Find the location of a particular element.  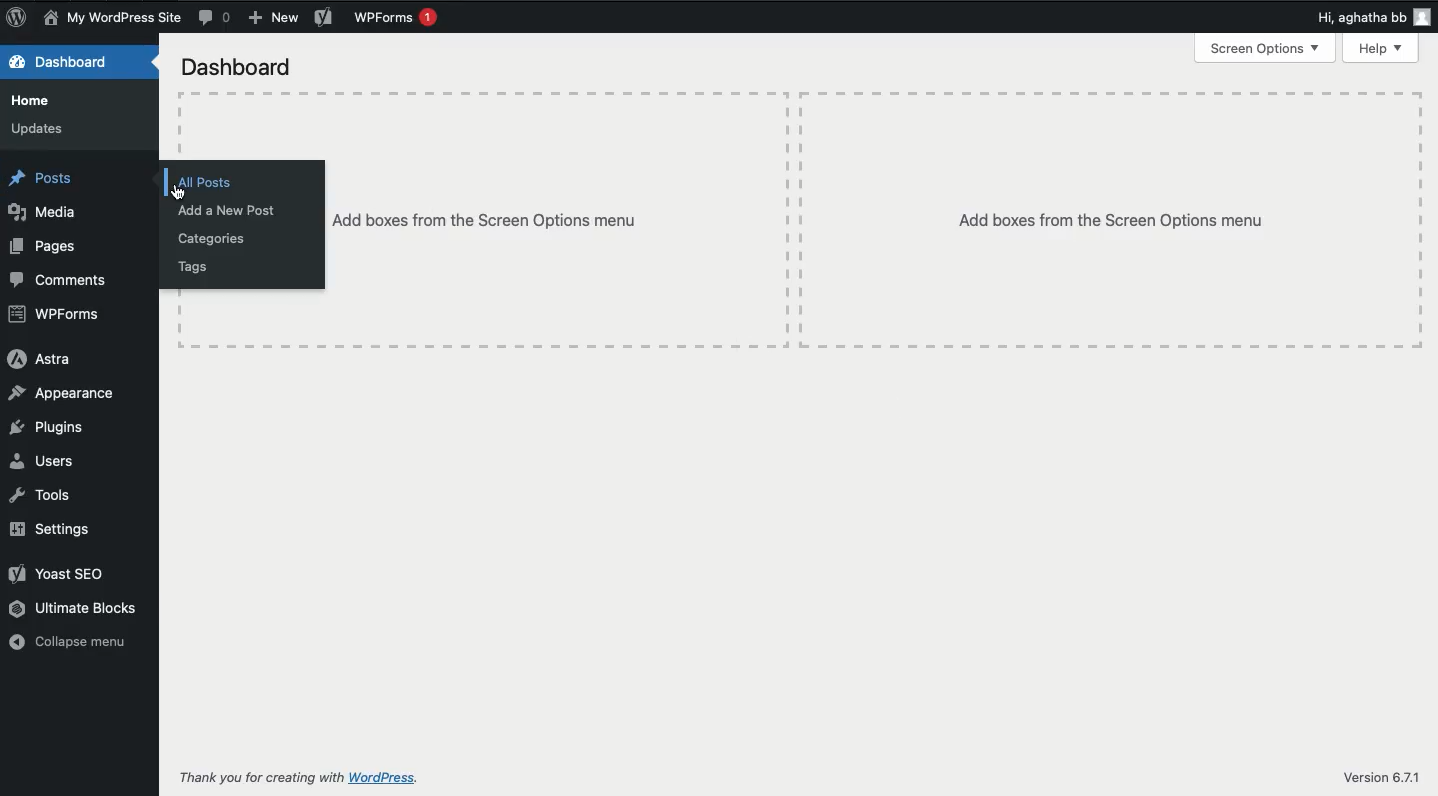

Posts is located at coordinates (44, 180).